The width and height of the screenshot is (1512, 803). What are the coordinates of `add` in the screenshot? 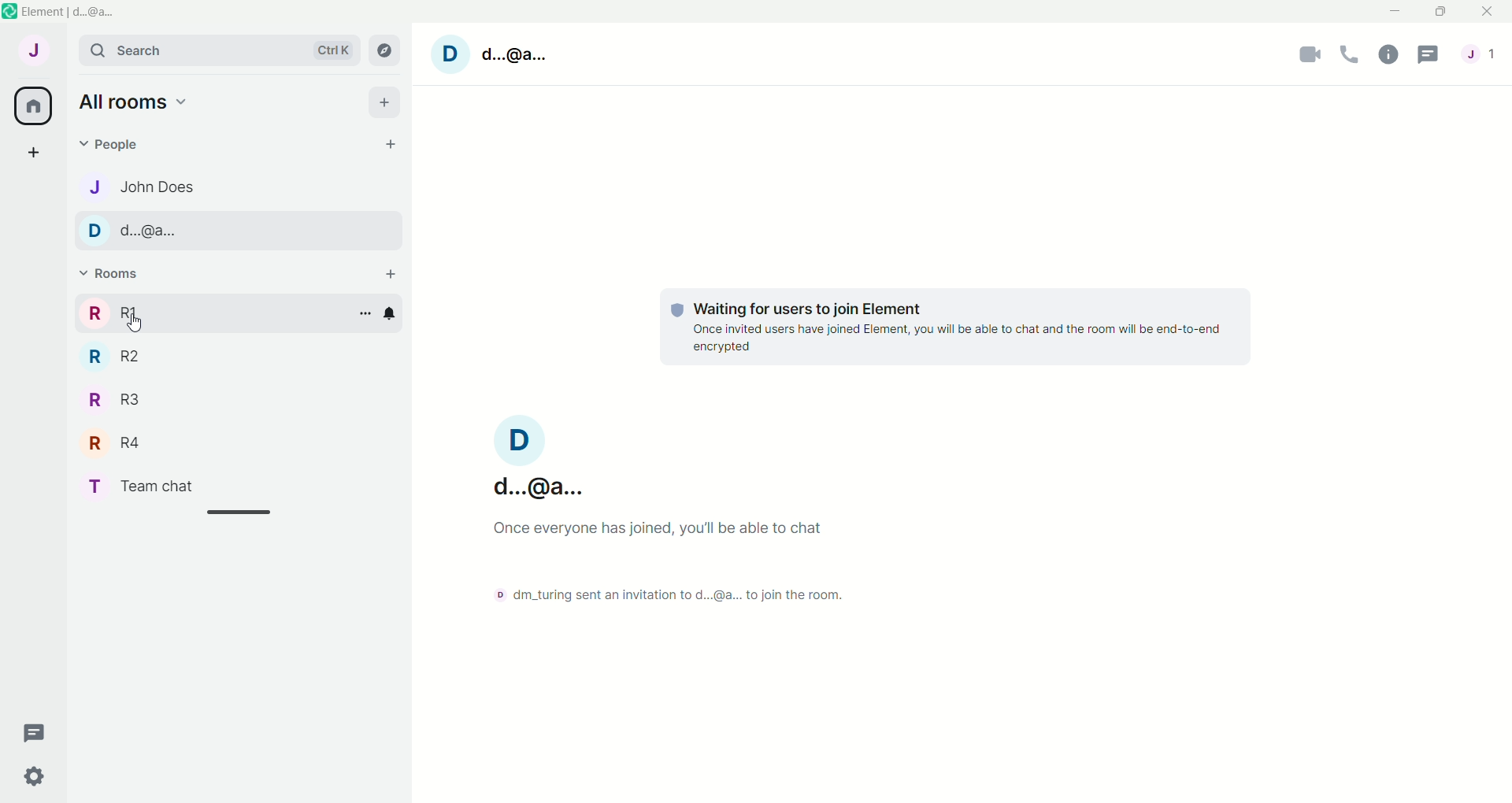 It's located at (389, 274).